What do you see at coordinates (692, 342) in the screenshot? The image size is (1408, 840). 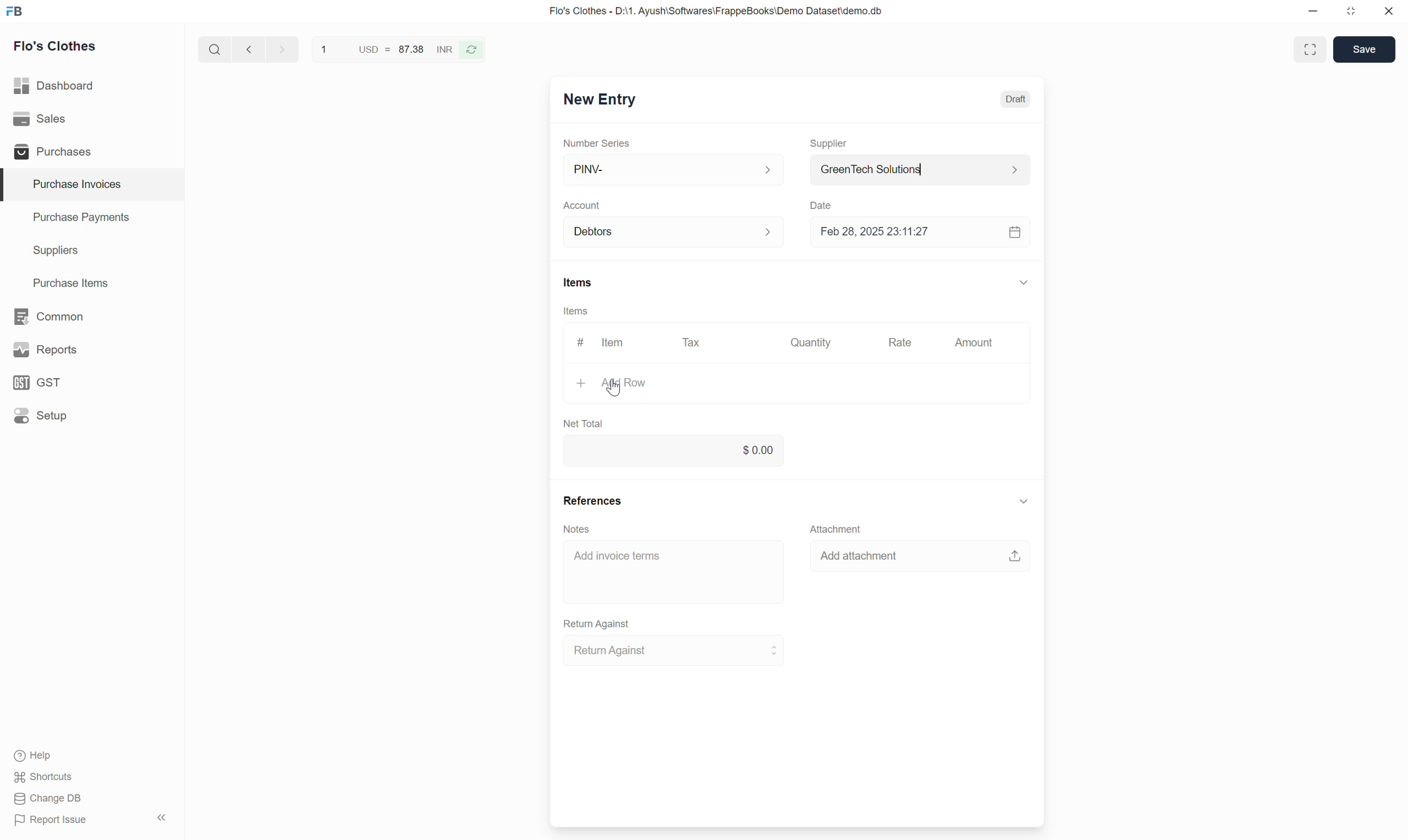 I see `Tax` at bounding box center [692, 342].